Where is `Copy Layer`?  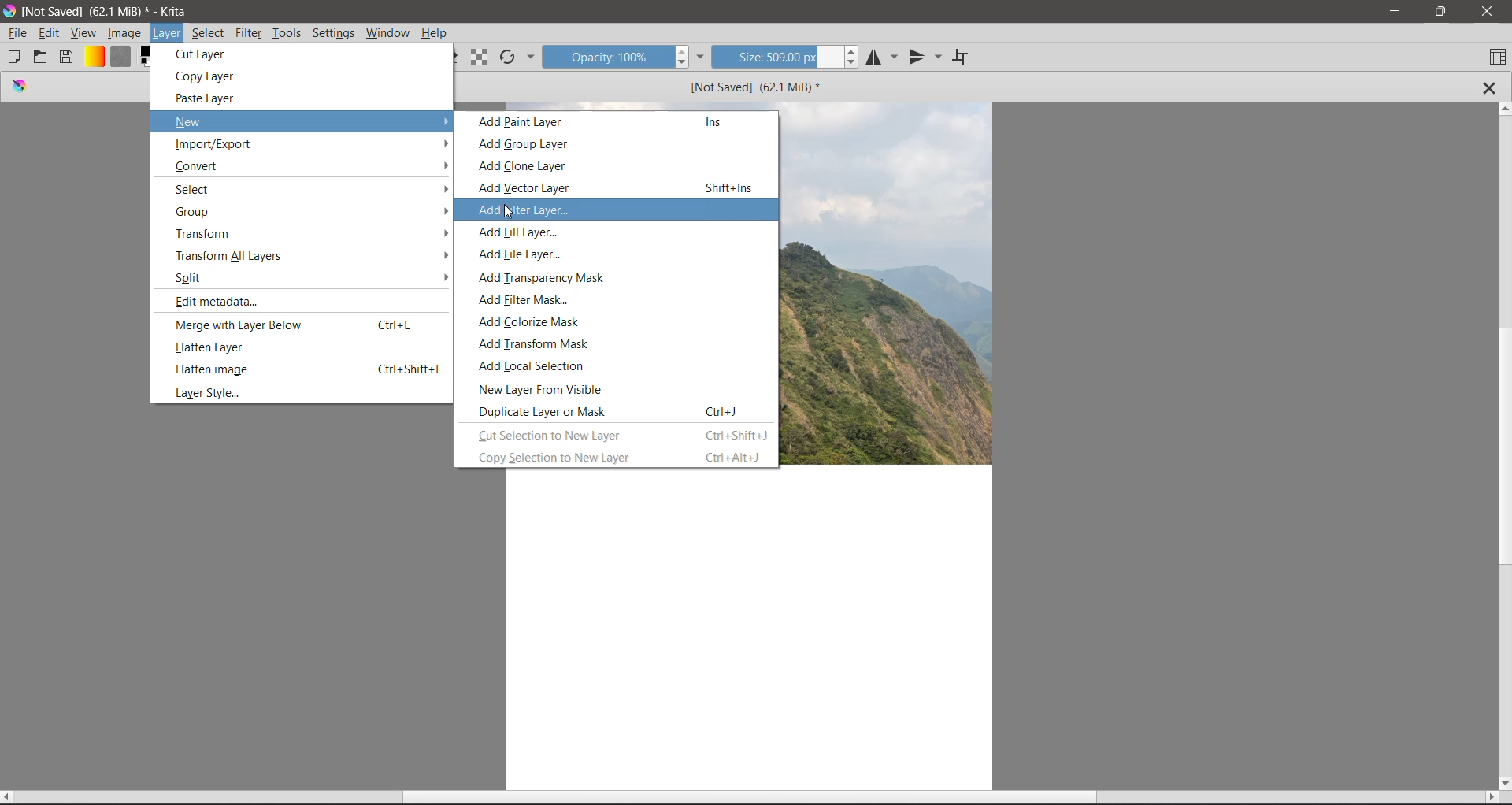
Copy Layer is located at coordinates (209, 76).